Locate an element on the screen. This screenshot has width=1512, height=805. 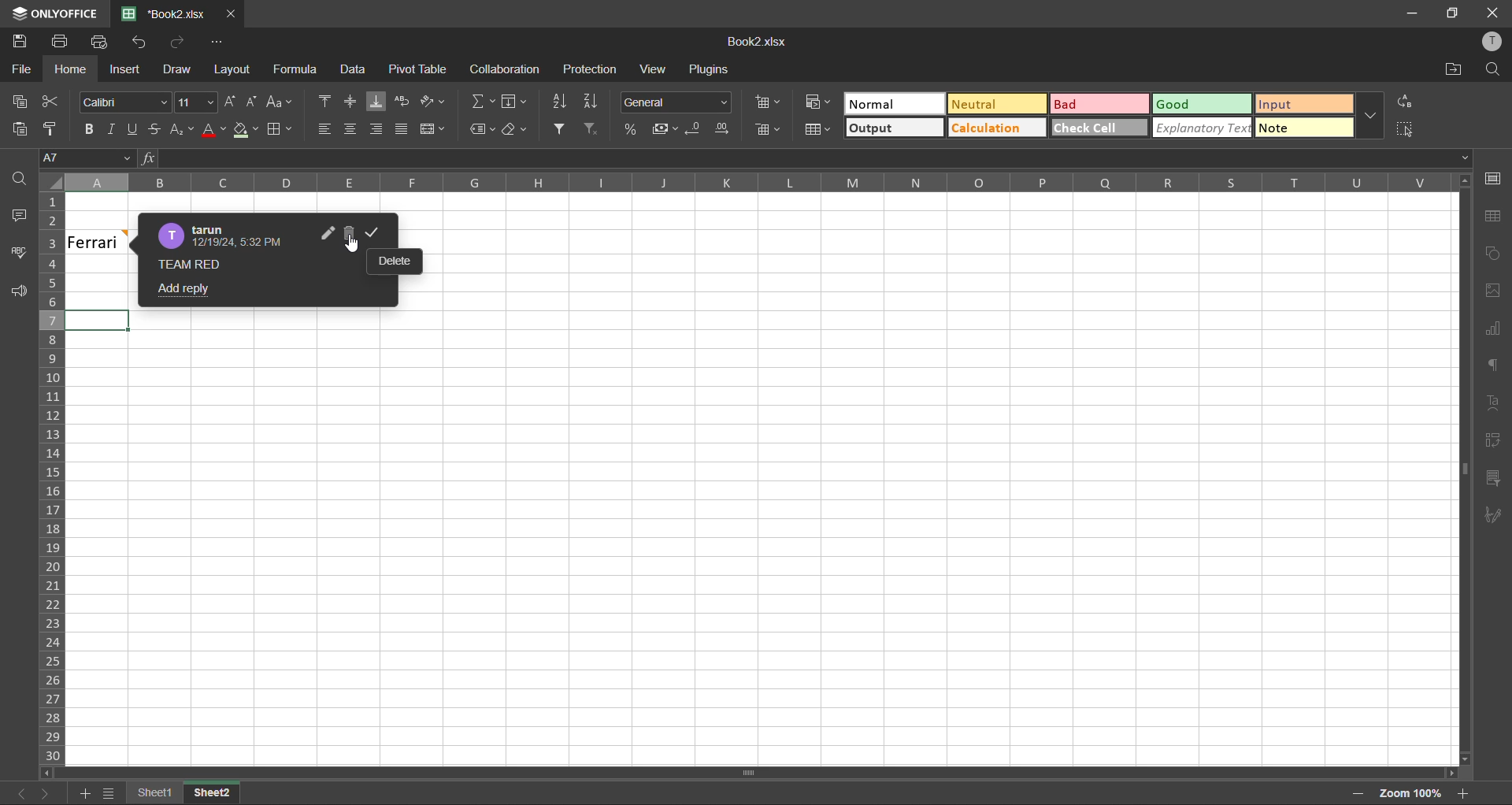
fields is located at coordinates (515, 101).